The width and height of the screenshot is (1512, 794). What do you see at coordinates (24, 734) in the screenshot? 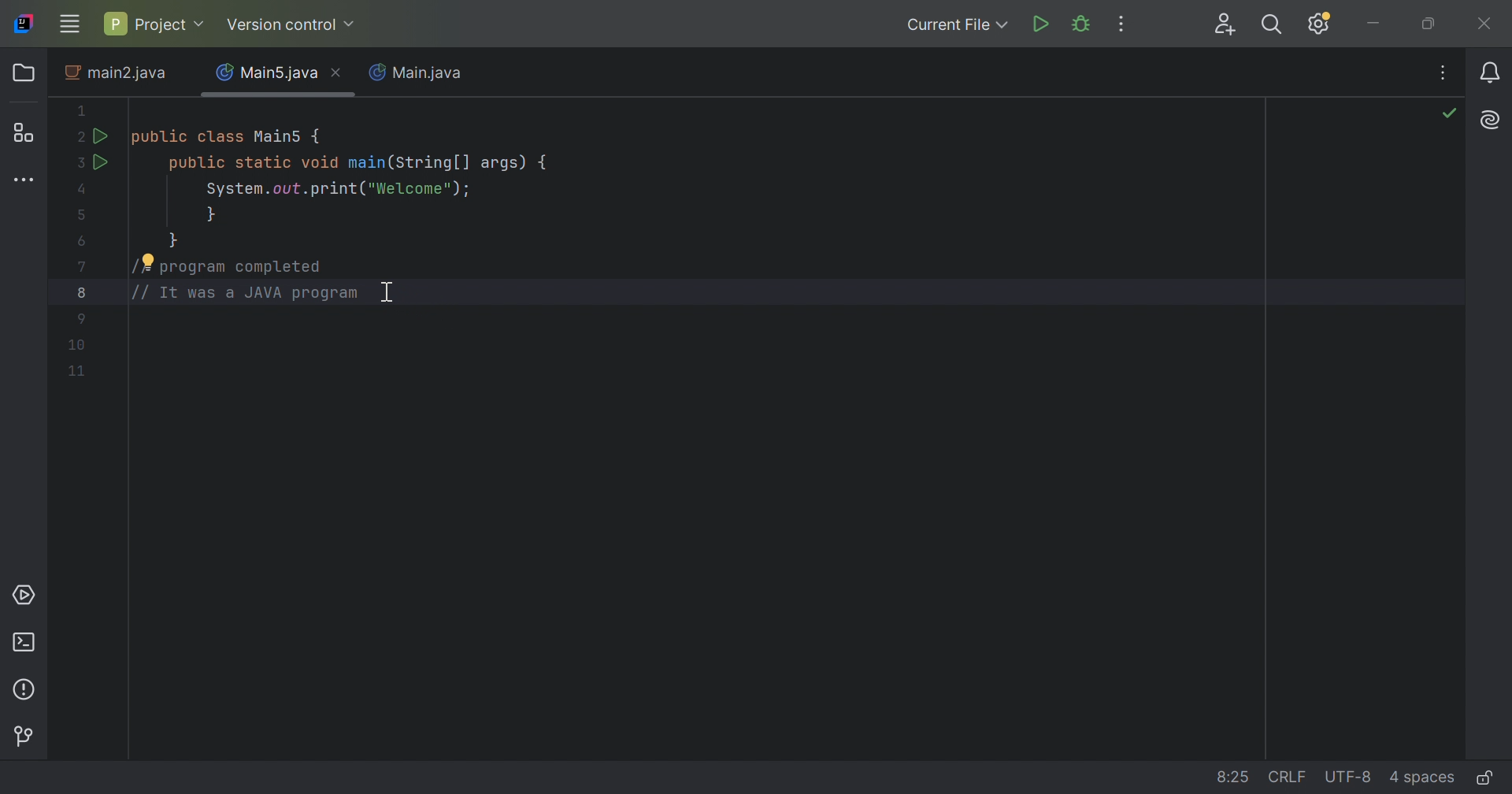
I see `Version control` at bounding box center [24, 734].